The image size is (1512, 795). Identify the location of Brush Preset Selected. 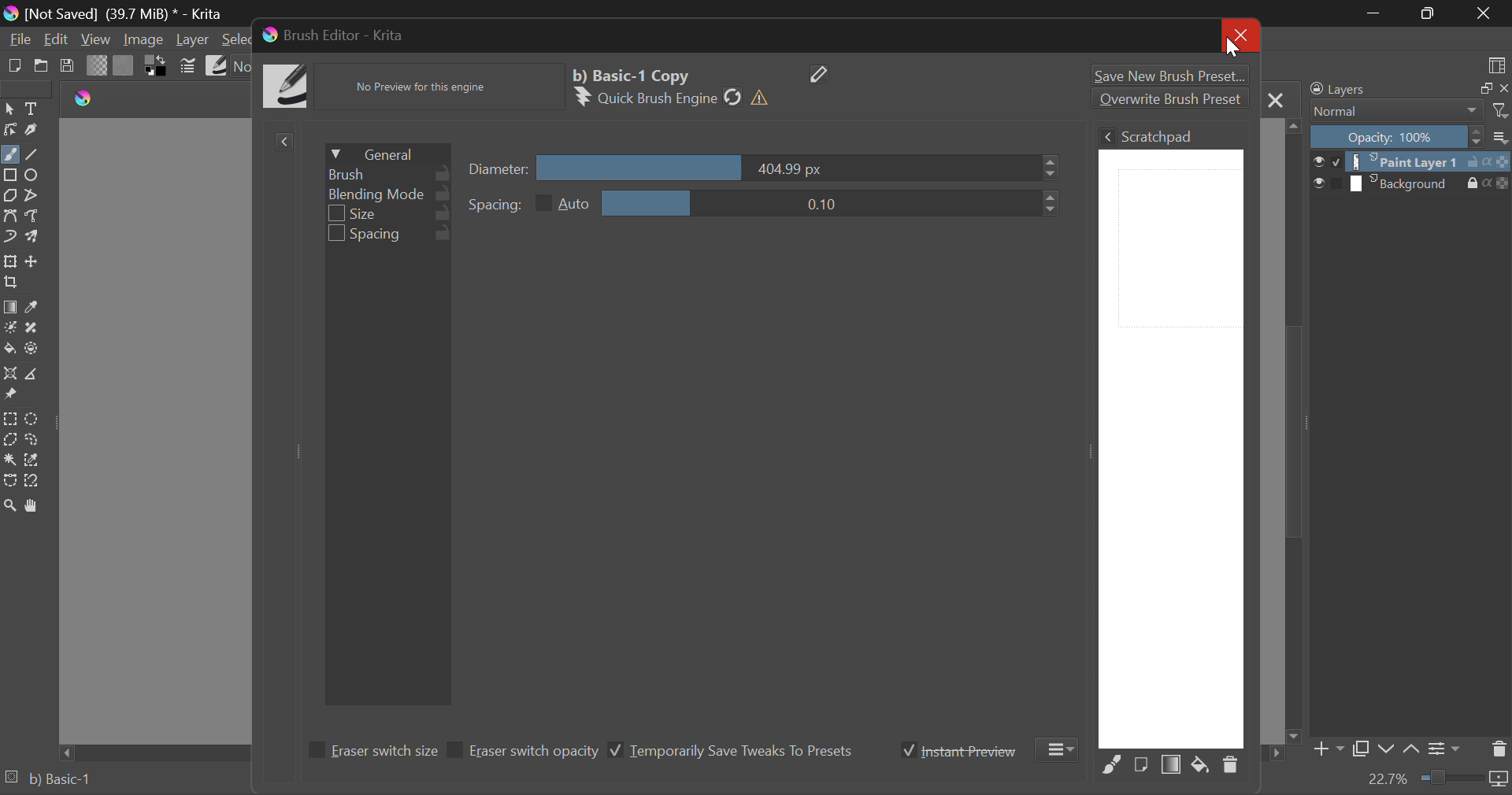
(47, 782).